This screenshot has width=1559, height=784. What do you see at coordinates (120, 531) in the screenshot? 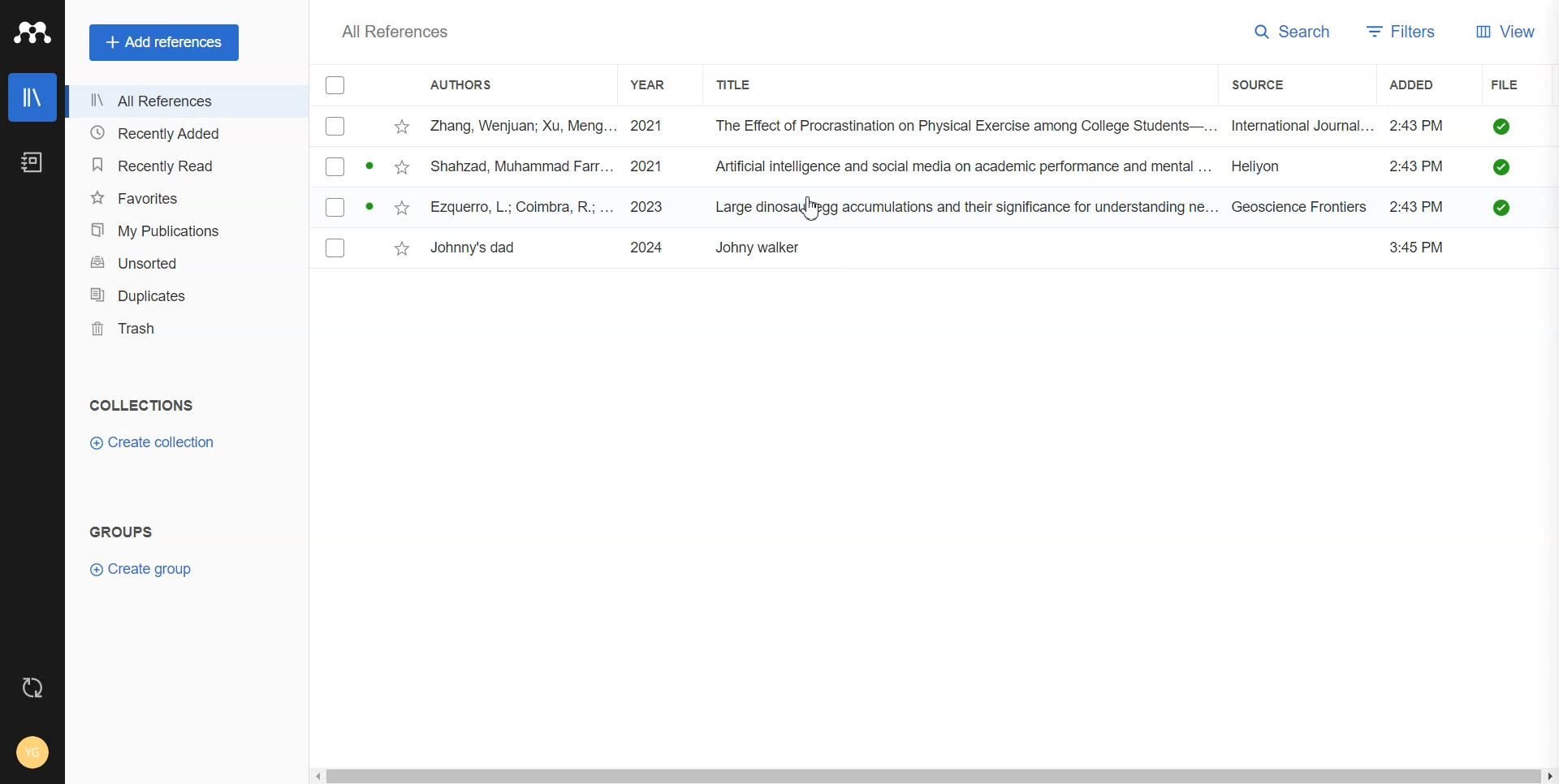
I see `Groups` at bounding box center [120, 531].